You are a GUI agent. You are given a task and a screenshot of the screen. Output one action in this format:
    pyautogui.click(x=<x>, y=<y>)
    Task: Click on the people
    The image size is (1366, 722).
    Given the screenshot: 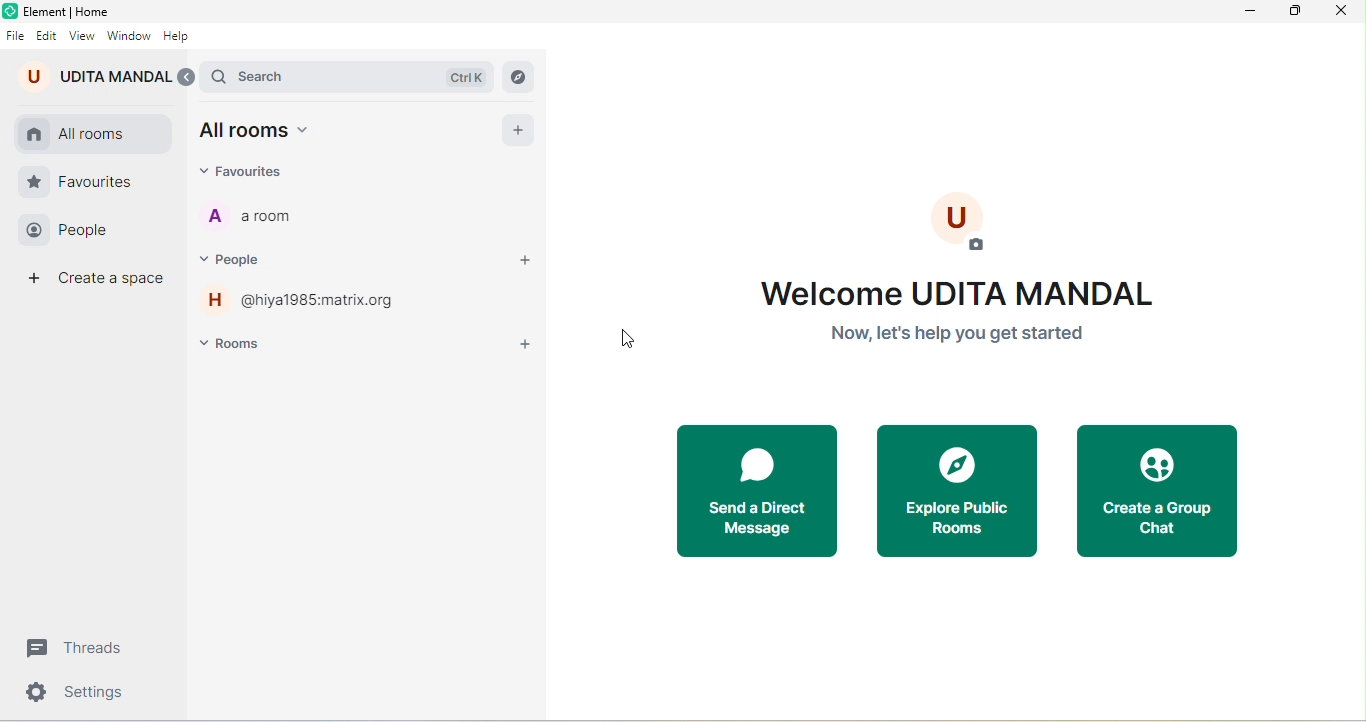 What is the action you would take?
    pyautogui.click(x=74, y=231)
    